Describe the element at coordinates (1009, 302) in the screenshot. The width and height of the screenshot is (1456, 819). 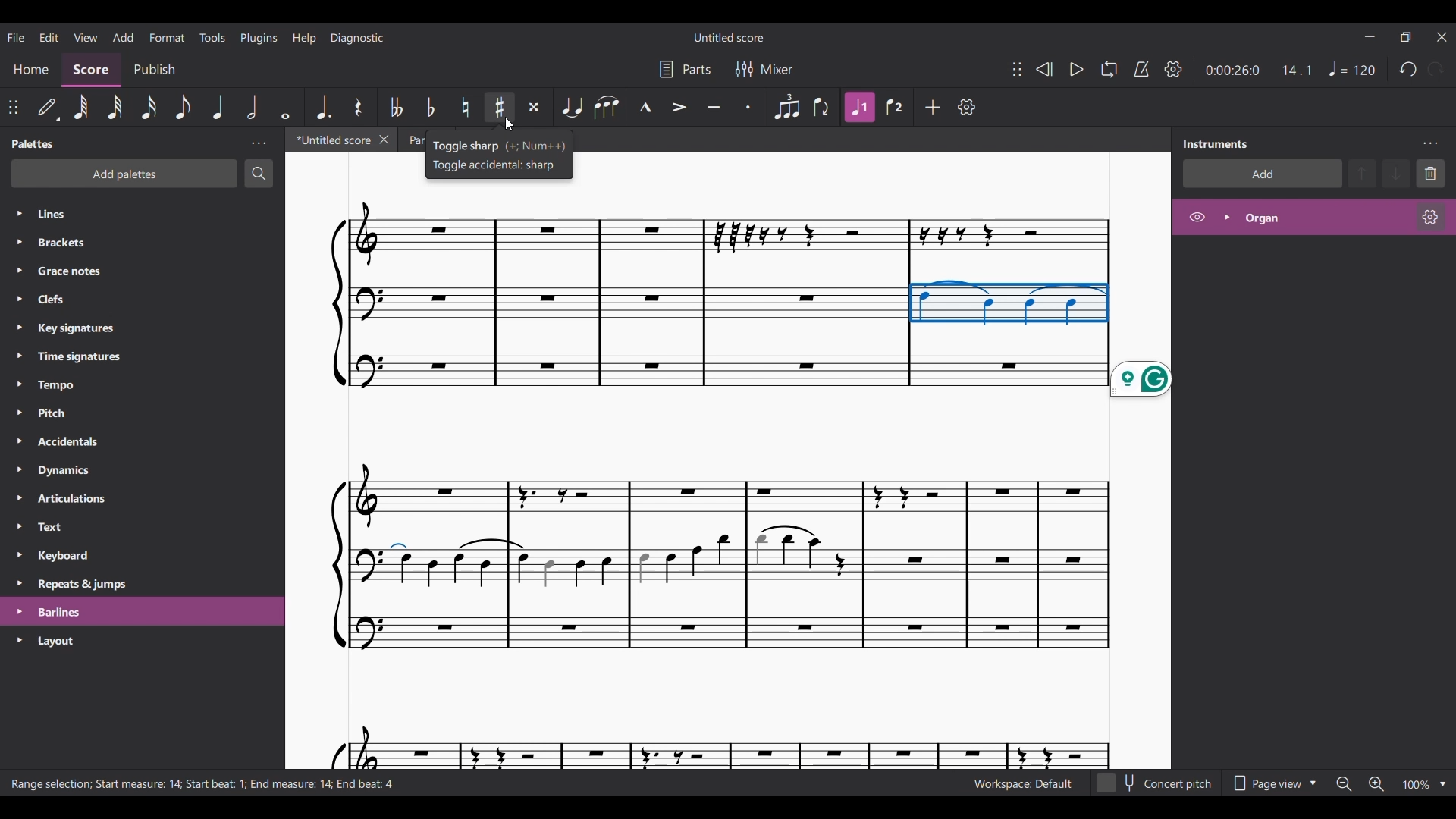
I see `Current selection by cursor` at that location.